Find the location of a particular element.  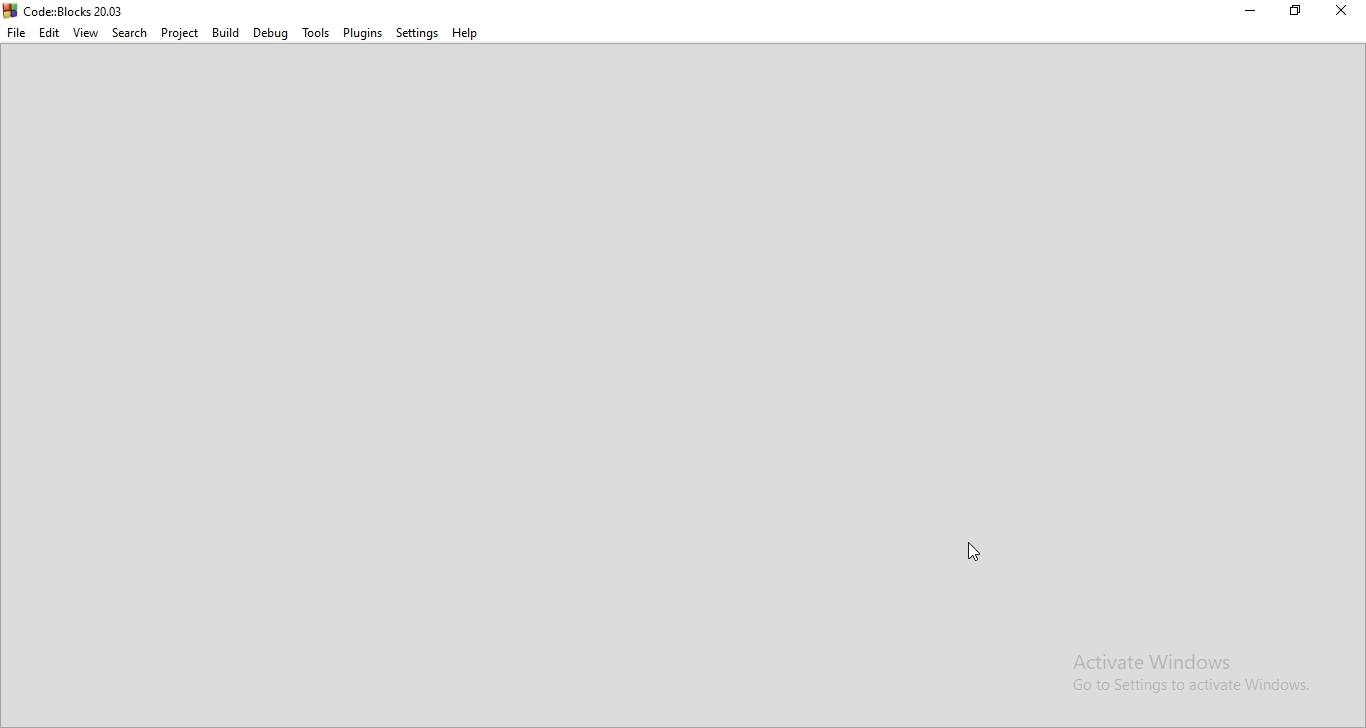

Tools  is located at coordinates (318, 32).